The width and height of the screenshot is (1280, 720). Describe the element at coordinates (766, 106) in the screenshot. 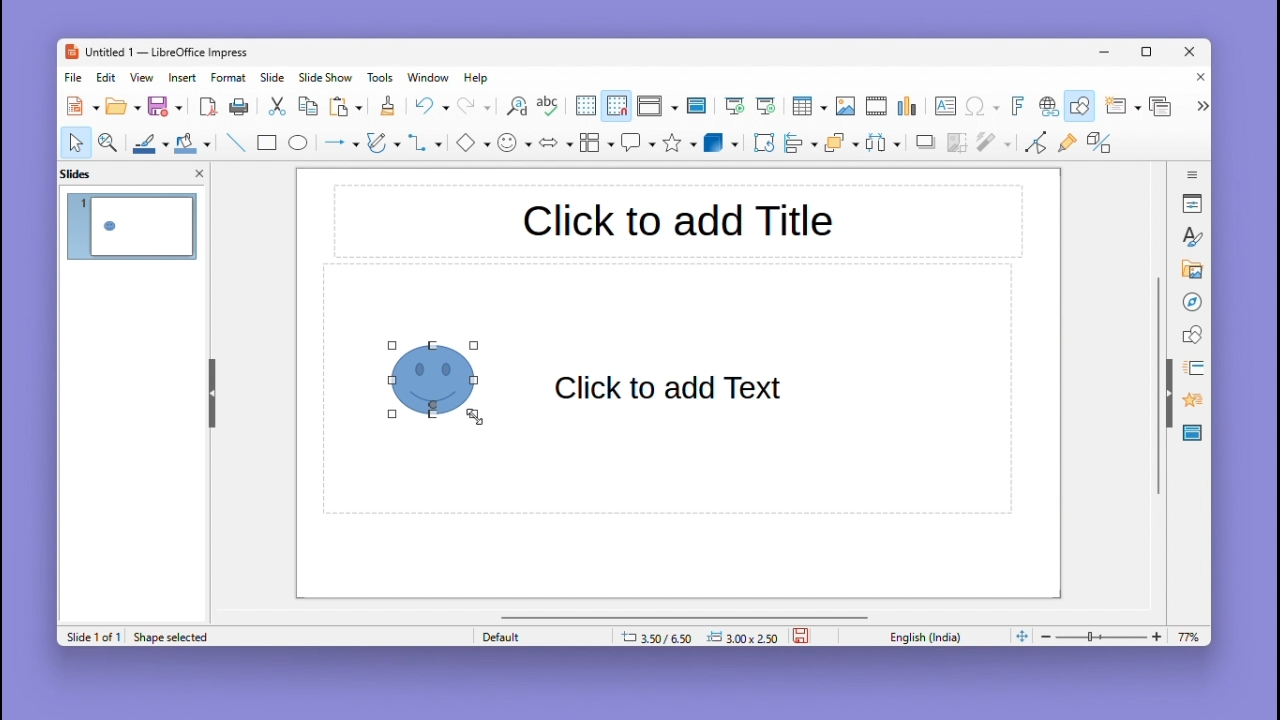

I see `Last slide` at that location.